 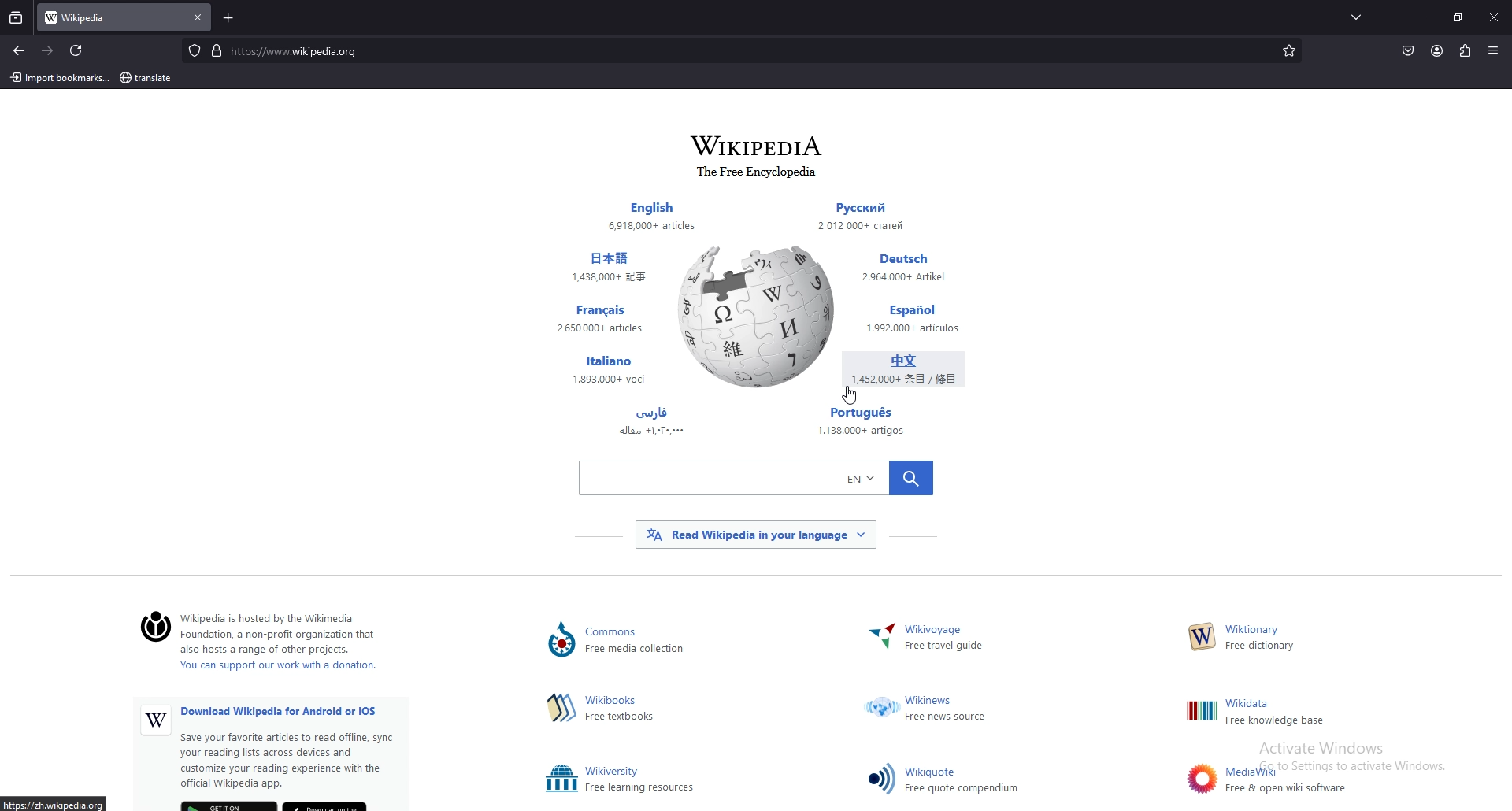 What do you see at coordinates (654, 641) in the screenshot?
I see `Lommons
) Free media collection` at bounding box center [654, 641].